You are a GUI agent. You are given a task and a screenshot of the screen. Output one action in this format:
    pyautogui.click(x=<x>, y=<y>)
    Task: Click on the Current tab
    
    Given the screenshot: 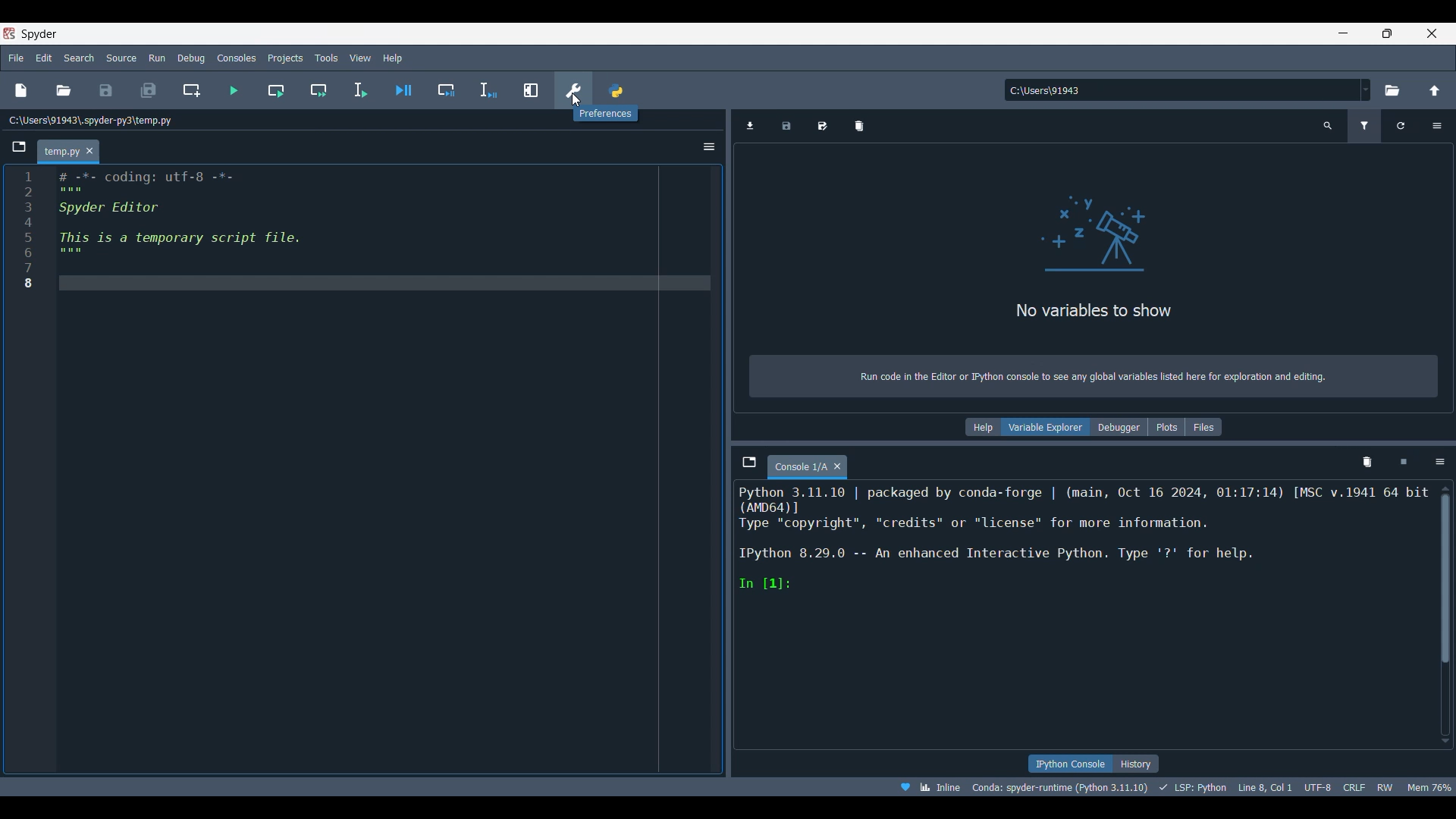 What is the action you would take?
    pyautogui.click(x=799, y=467)
    